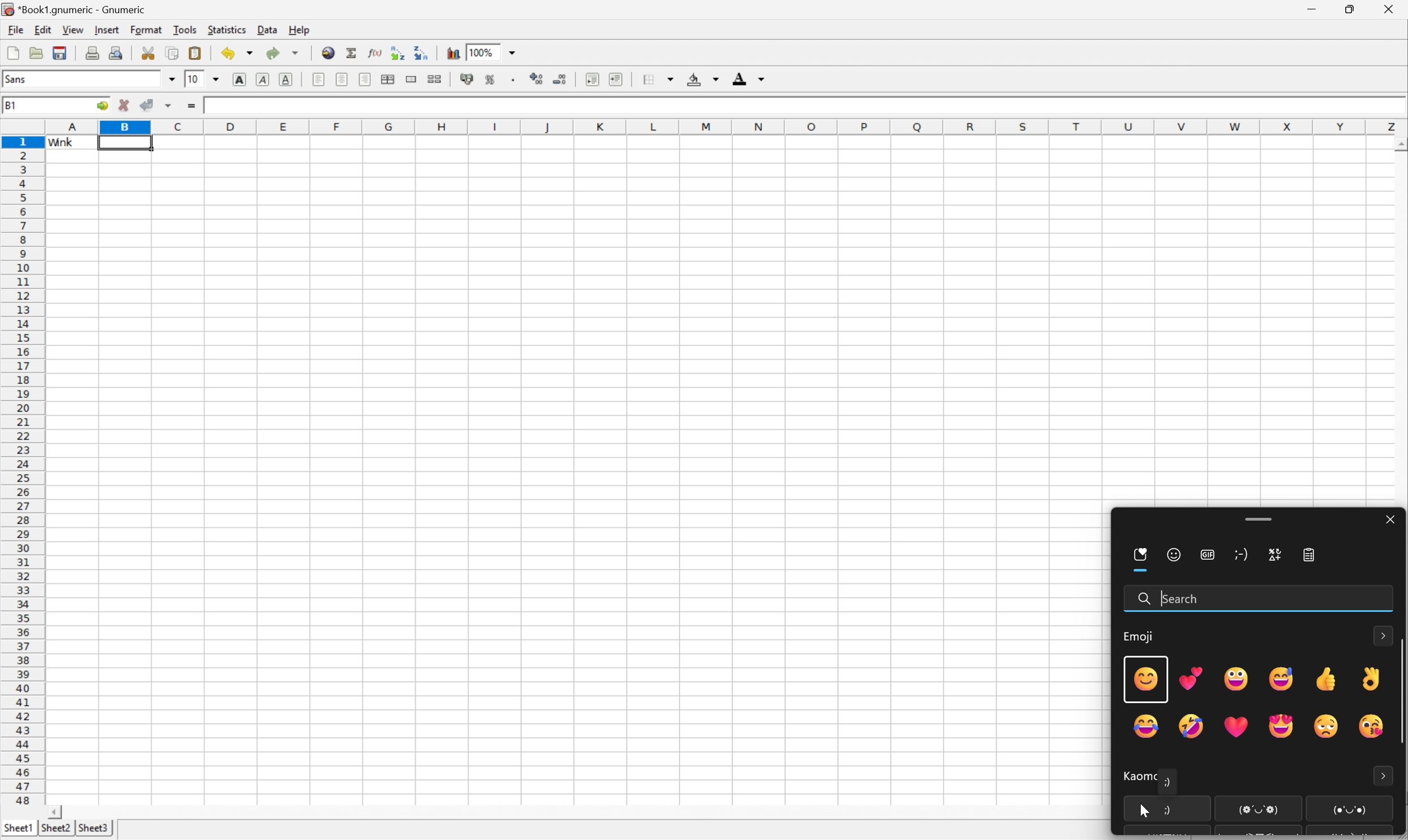 Image resolution: width=1408 pixels, height=840 pixels. I want to click on emojis, so click(1252, 698).